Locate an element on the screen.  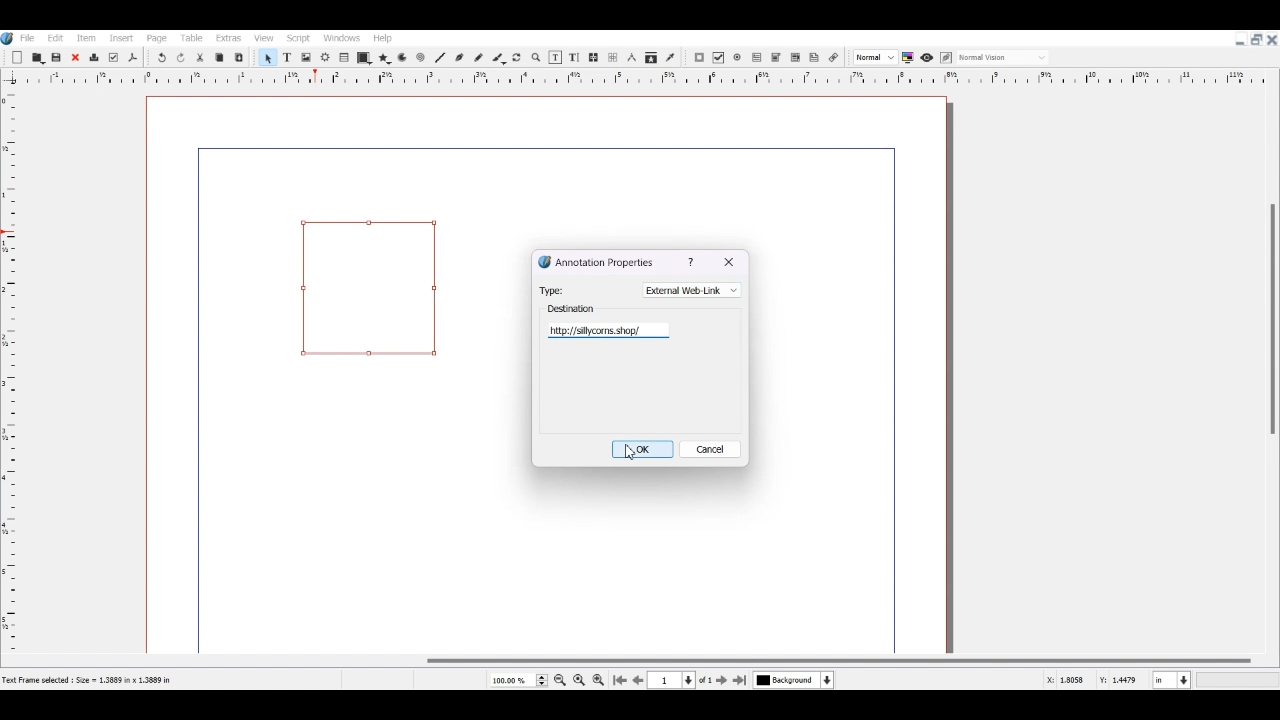
Go to First Page is located at coordinates (620, 680).